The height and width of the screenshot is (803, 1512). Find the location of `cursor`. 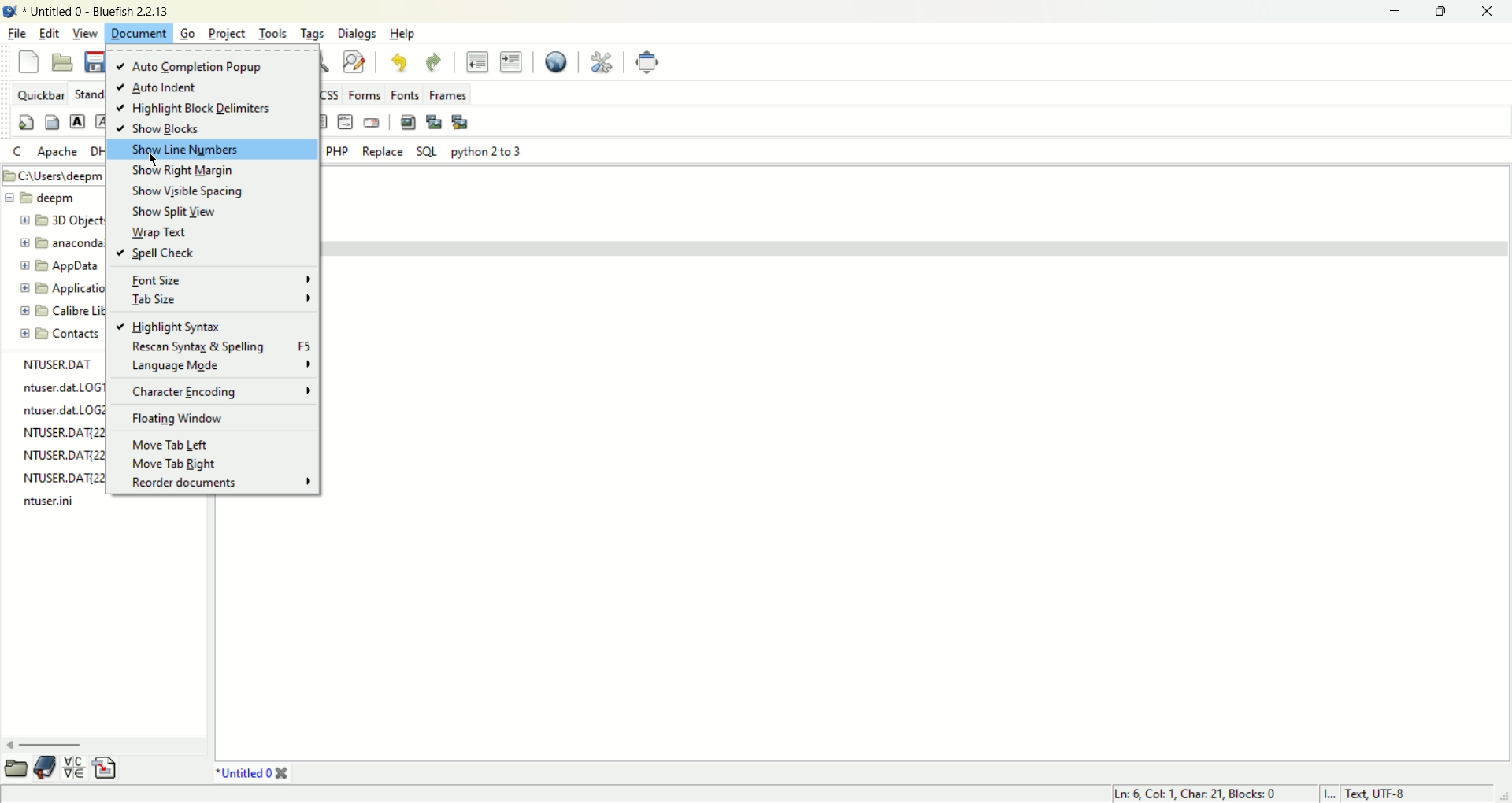

cursor is located at coordinates (154, 158).